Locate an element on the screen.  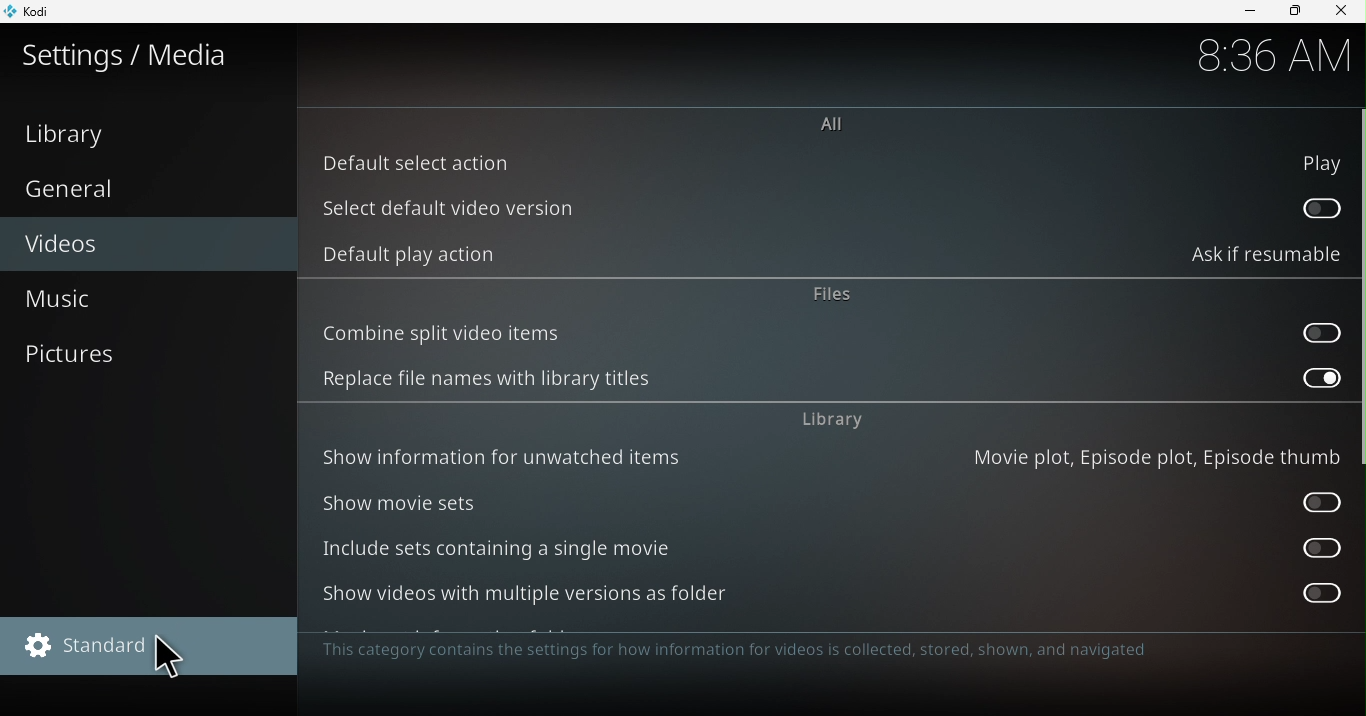
Show movie sets is located at coordinates (817, 502).